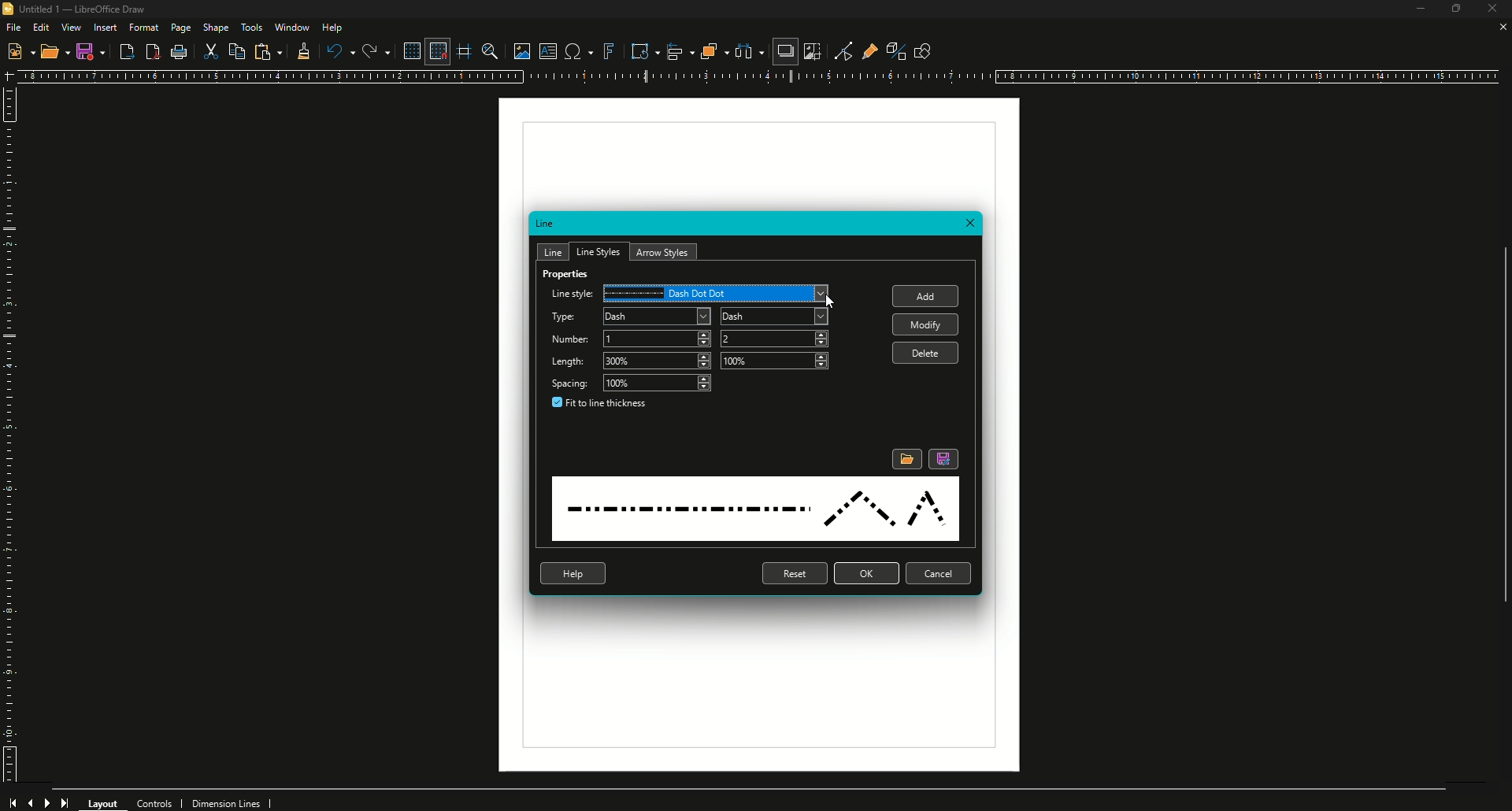 Image resolution: width=1512 pixels, height=811 pixels. I want to click on Insert Fontwork Text, so click(608, 51).